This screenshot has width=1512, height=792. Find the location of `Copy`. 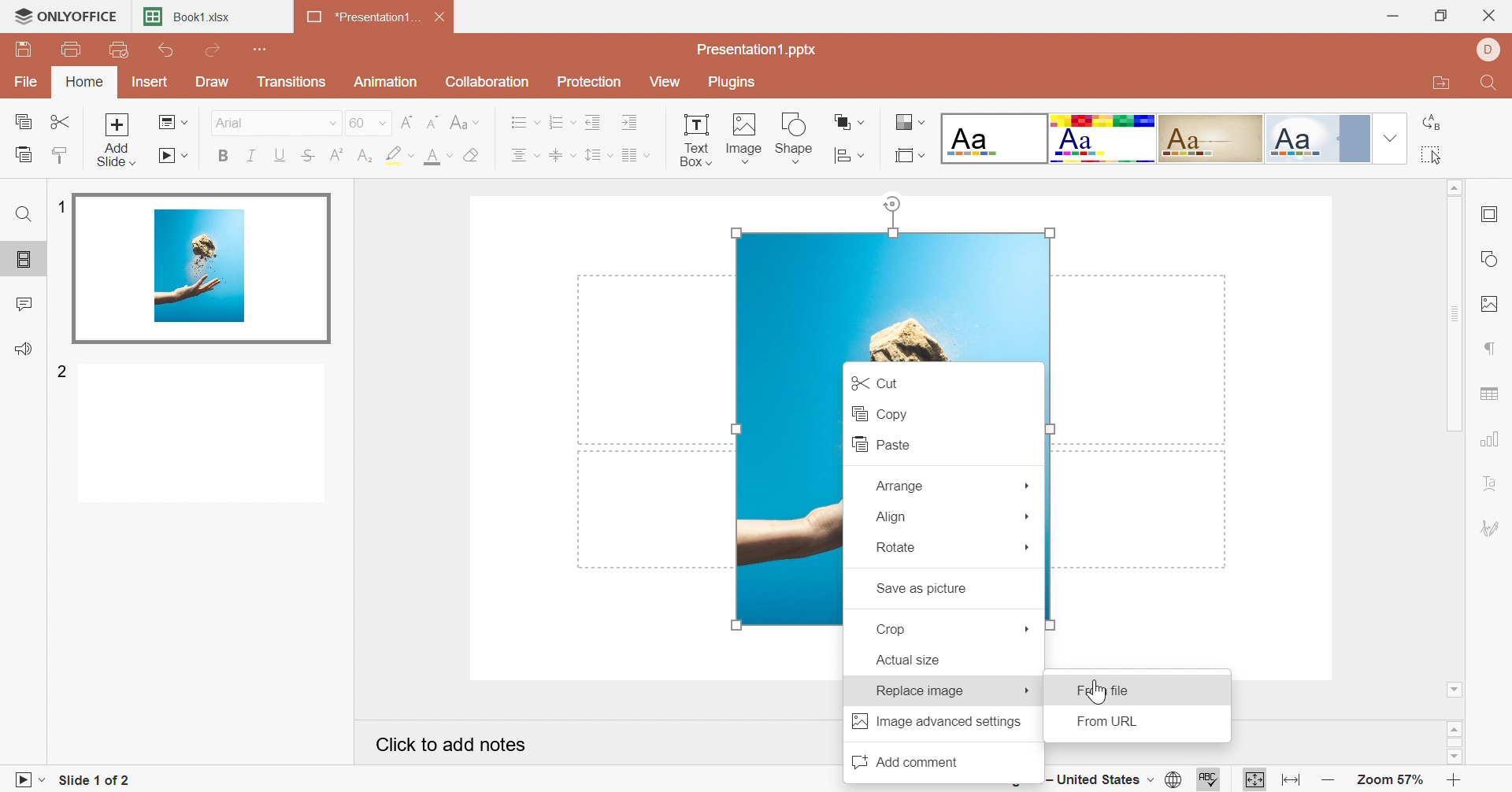

Copy is located at coordinates (23, 119).